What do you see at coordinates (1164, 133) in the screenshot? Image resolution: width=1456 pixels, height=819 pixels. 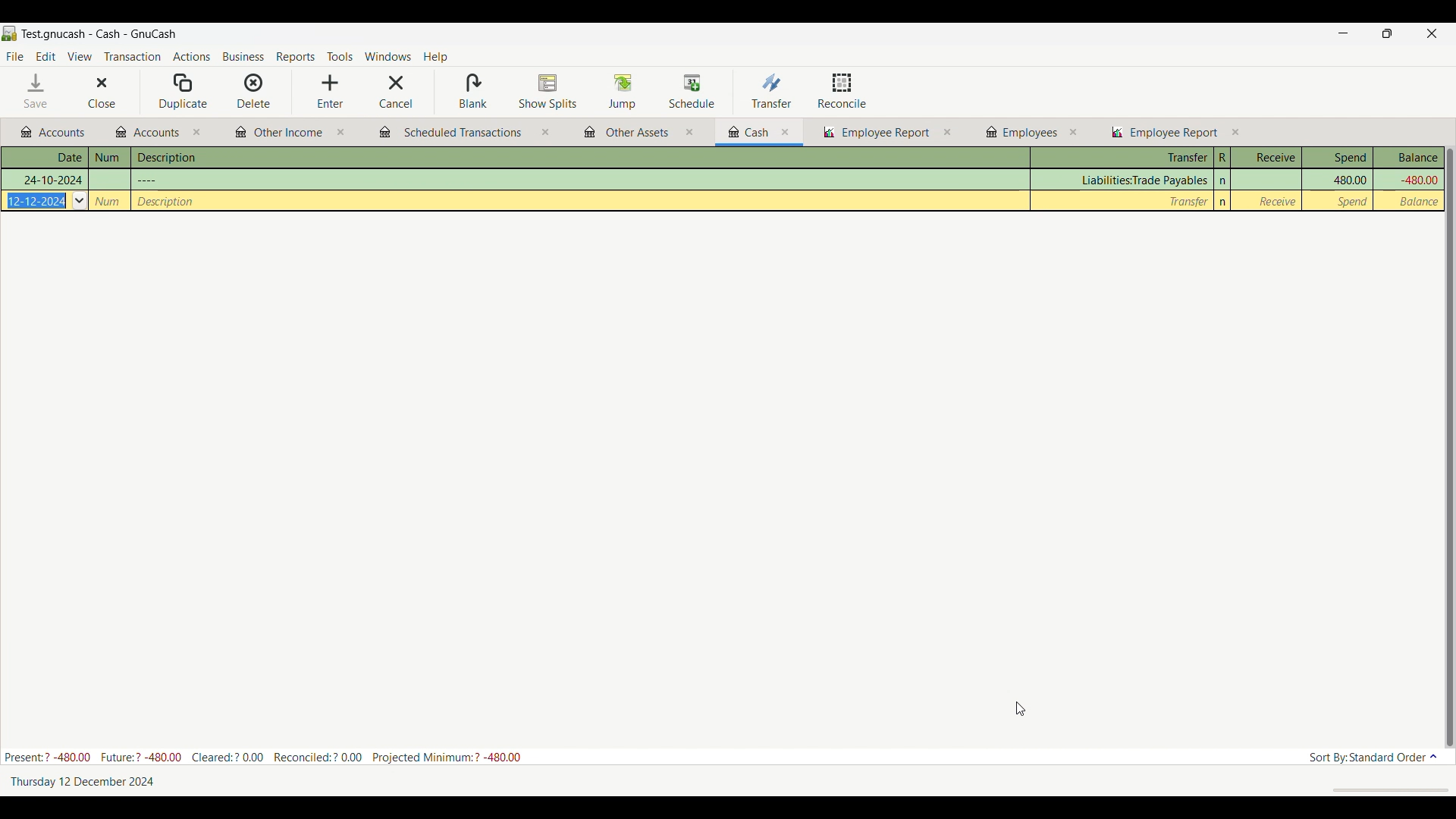 I see `Other budgets and reports` at bounding box center [1164, 133].